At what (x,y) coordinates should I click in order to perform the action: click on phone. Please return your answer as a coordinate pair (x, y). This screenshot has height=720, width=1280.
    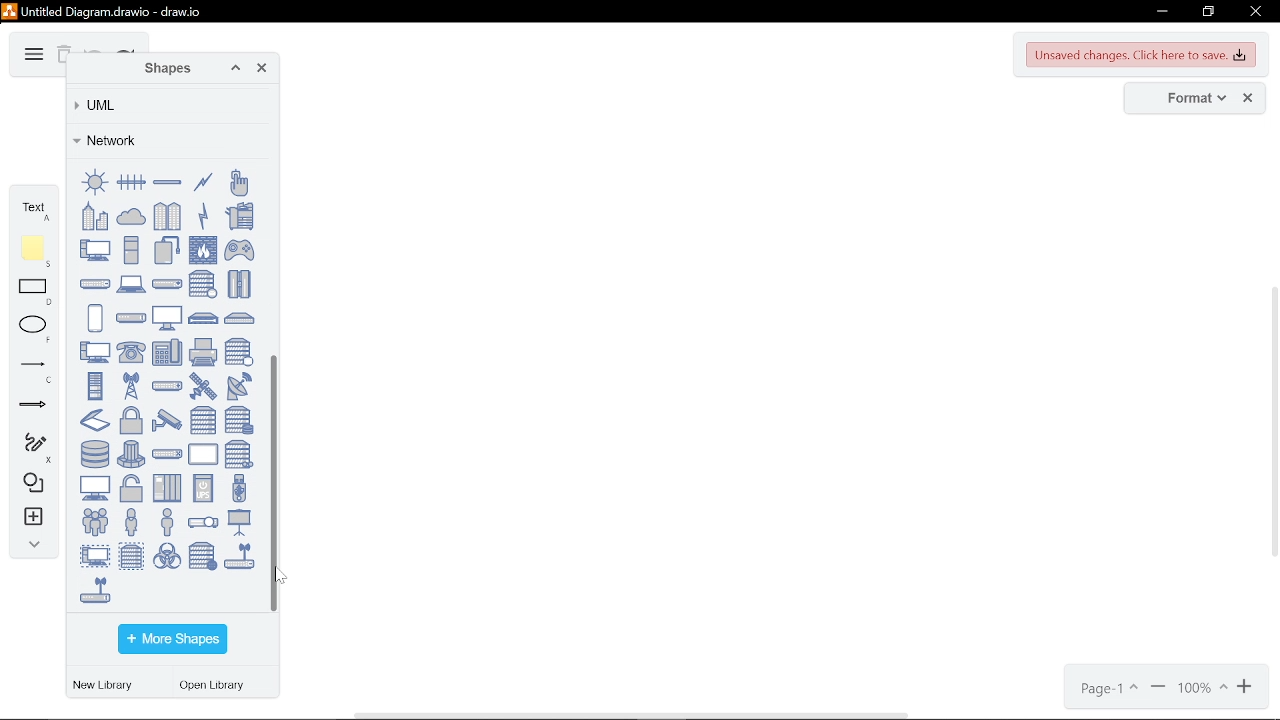
    Looking at the image, I should click on (167, 352).